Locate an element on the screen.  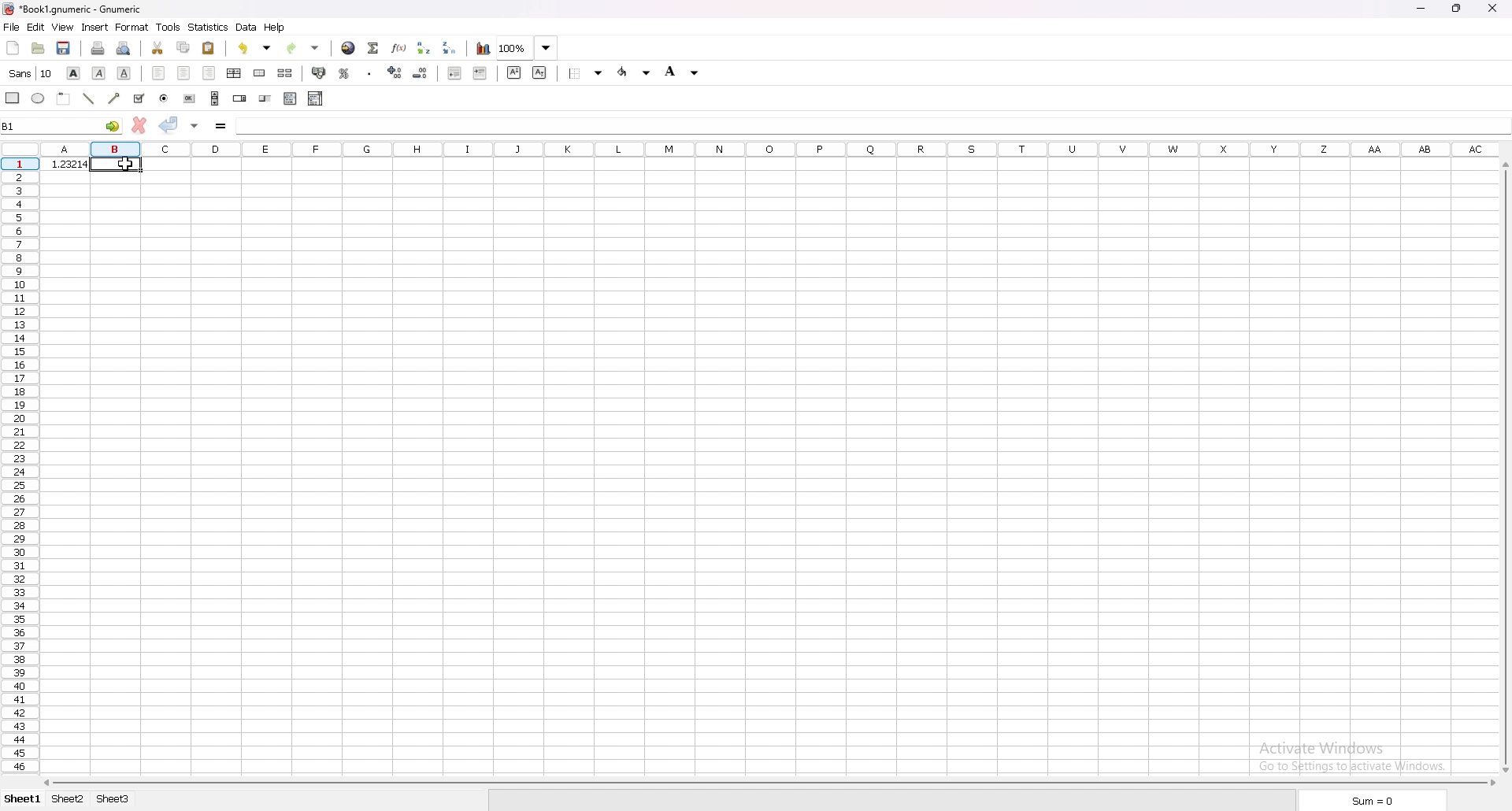
percentage is located at coordinates (346, 73).